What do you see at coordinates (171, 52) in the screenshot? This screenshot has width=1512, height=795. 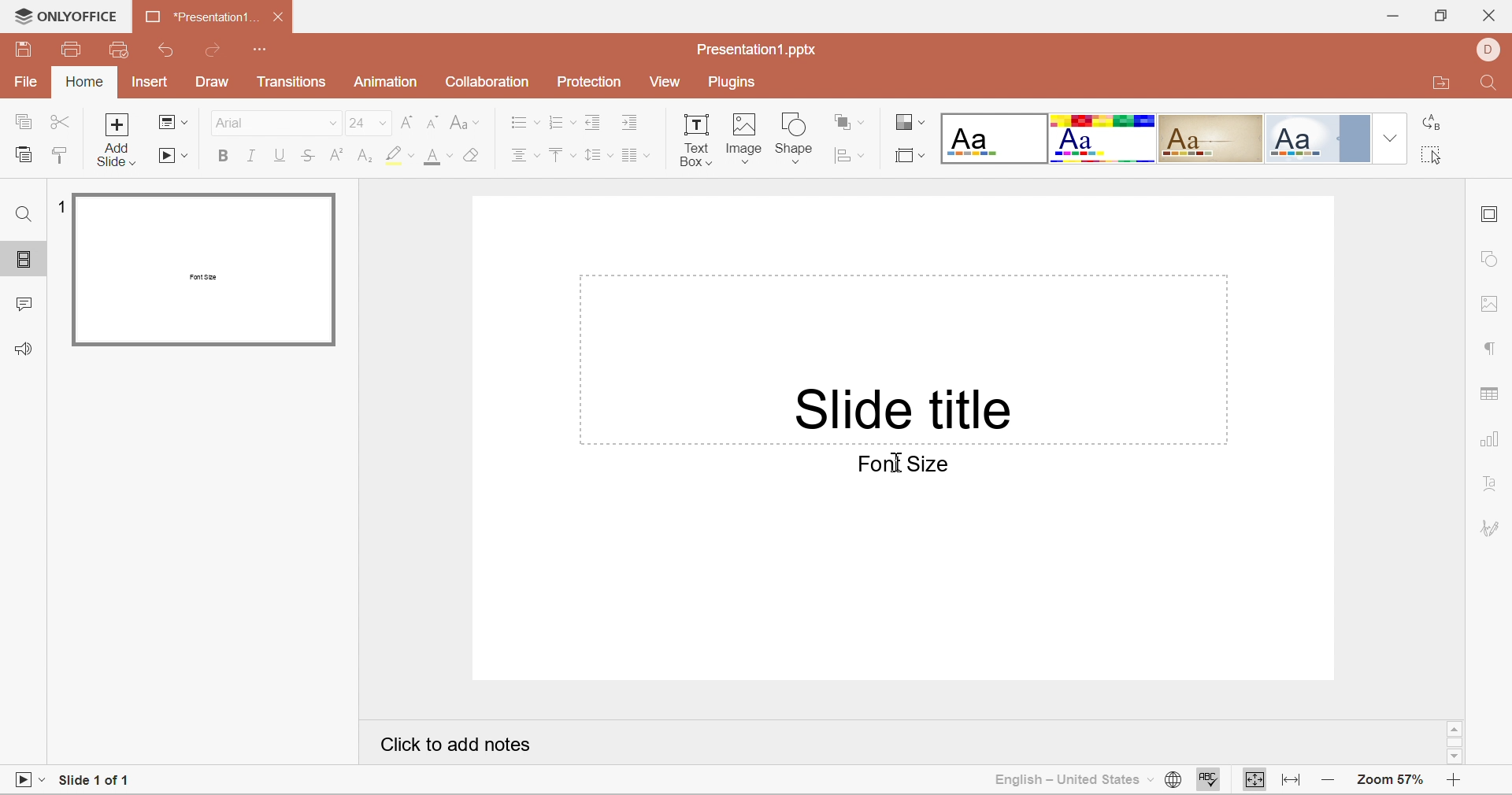 I see `Undo` at bounding box center [171, 52].